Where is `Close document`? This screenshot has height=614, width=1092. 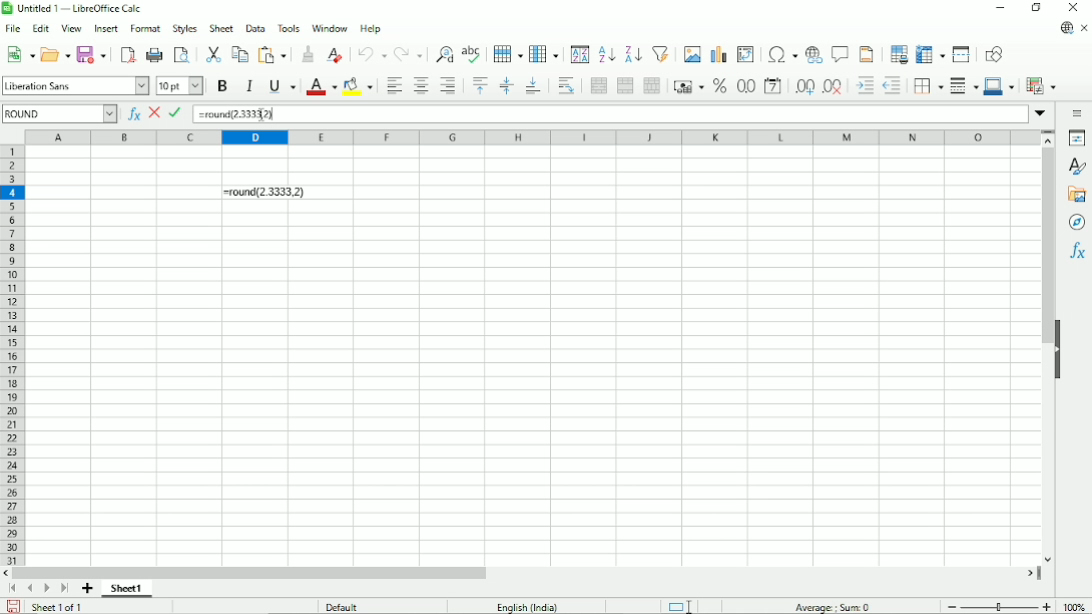
Close document is located at coordinates (1084, 28).